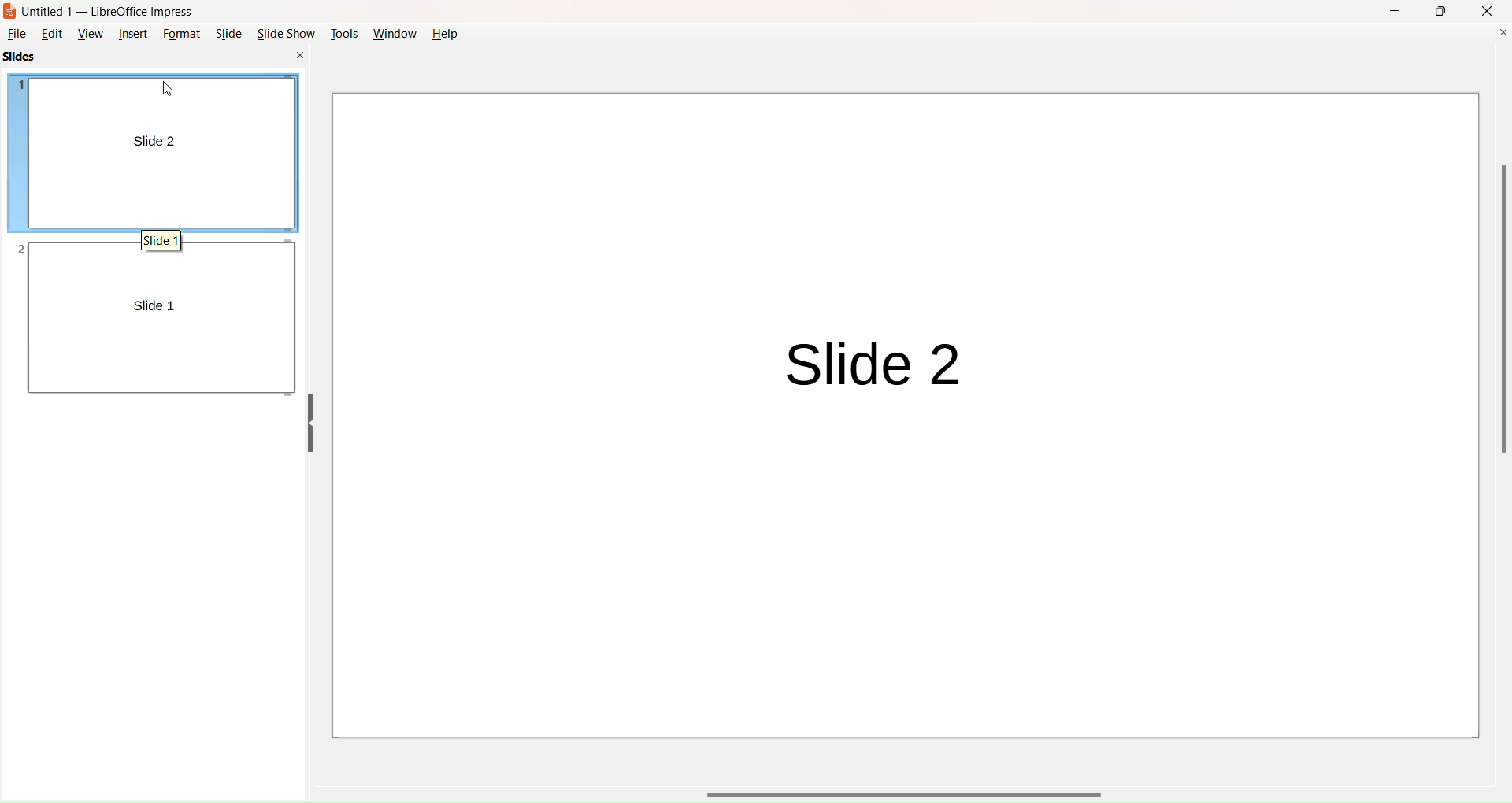 This screenshot has height=803, width=1512. What do you see at coordinates (301, 56) in the screenshot?
I see `close pane` at bounding box center [301, 56].